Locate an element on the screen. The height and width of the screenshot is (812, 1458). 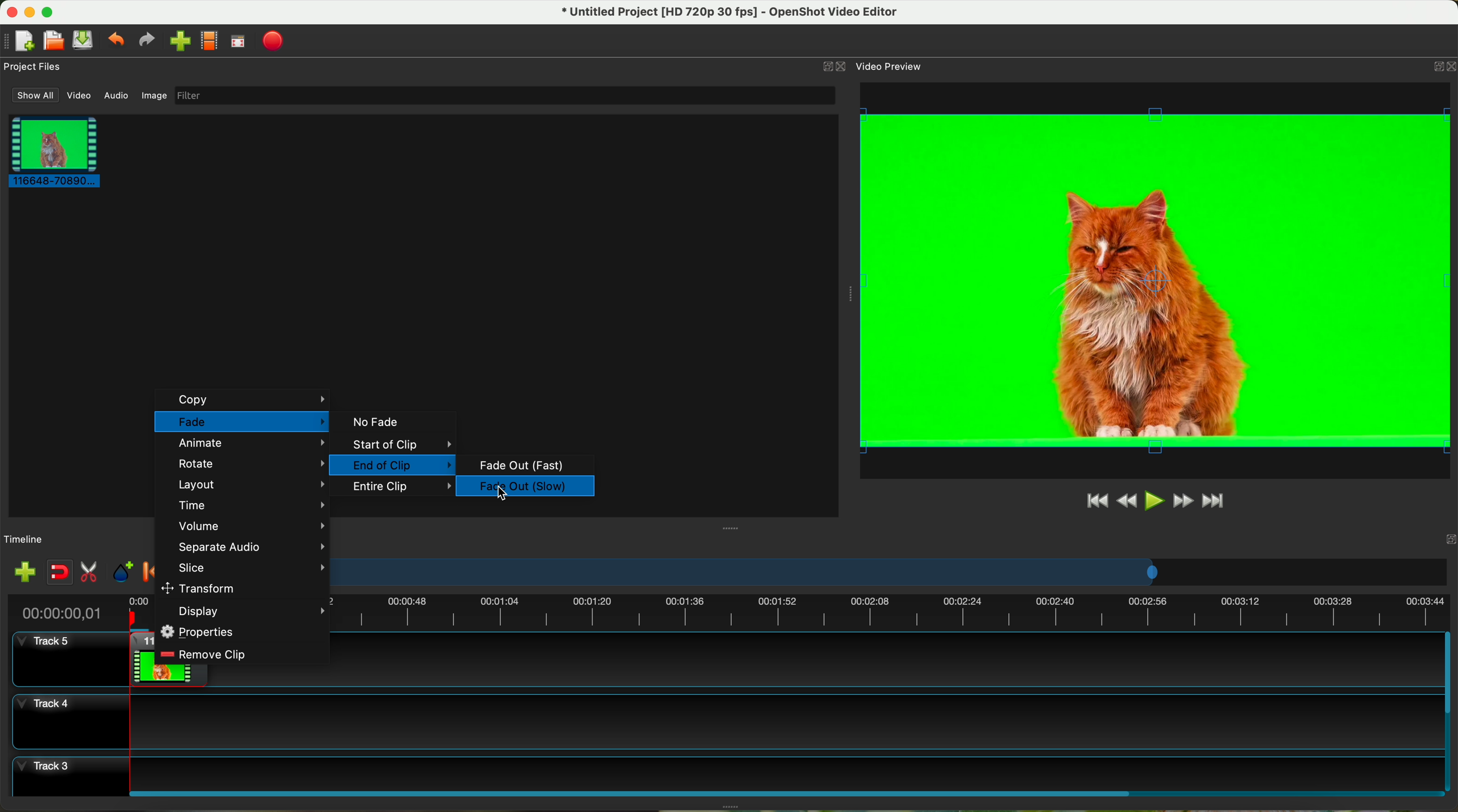
import files is located at coordinates (24, 573).